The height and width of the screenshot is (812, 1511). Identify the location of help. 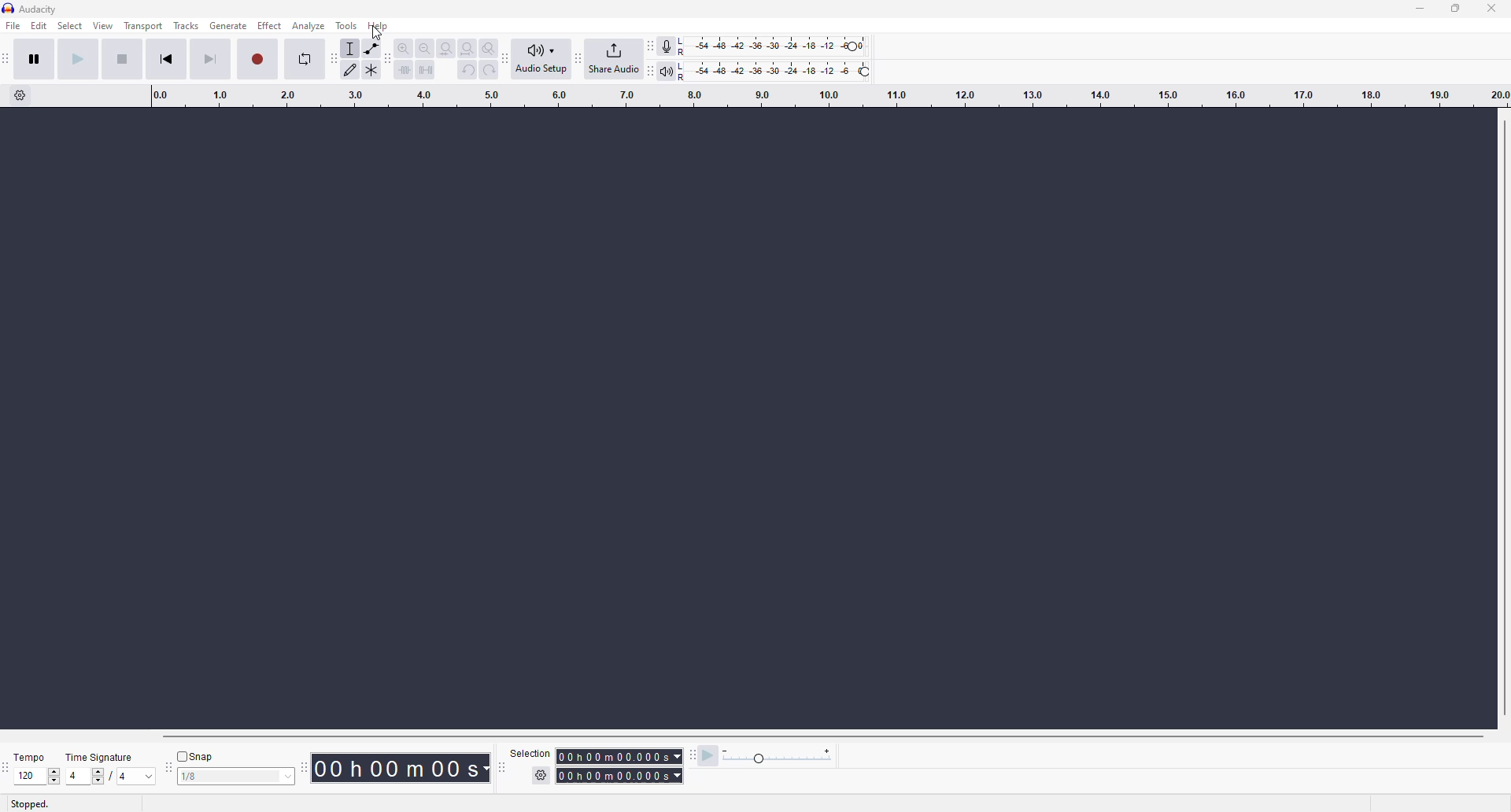
(380, 27).